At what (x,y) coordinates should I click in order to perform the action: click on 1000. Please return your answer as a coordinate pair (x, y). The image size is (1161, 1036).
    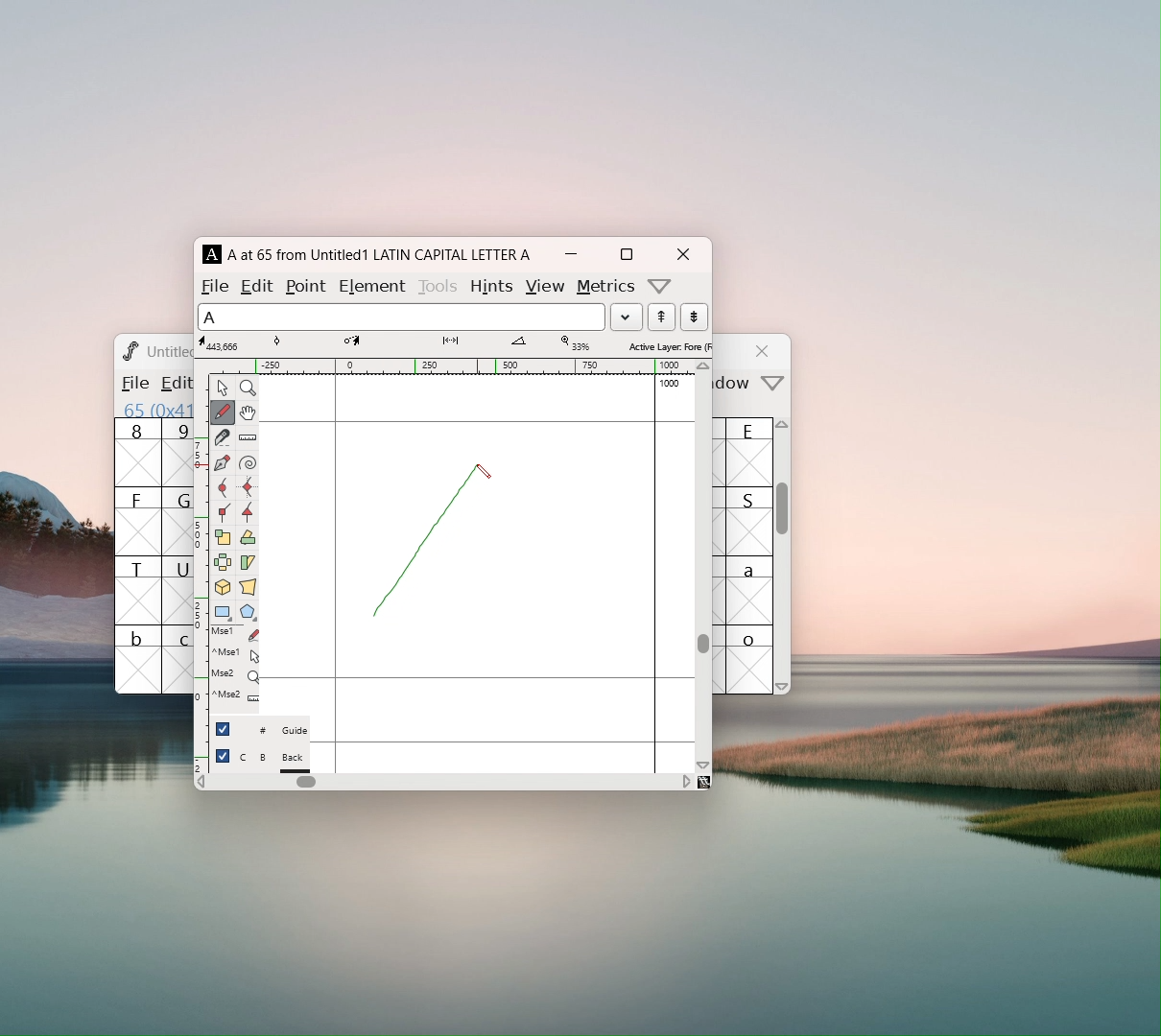
    Looking at the image, I should click on (672, 384).